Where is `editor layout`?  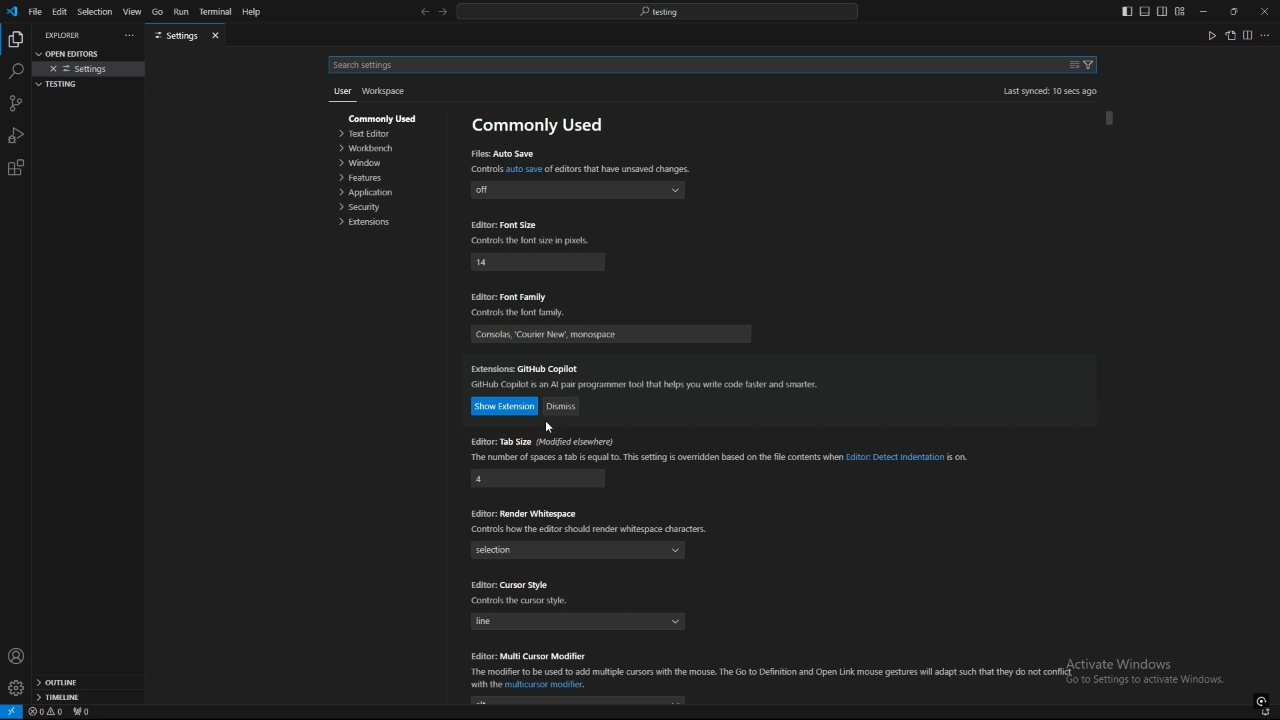
editor layout is located at coordinates (1153, 11).